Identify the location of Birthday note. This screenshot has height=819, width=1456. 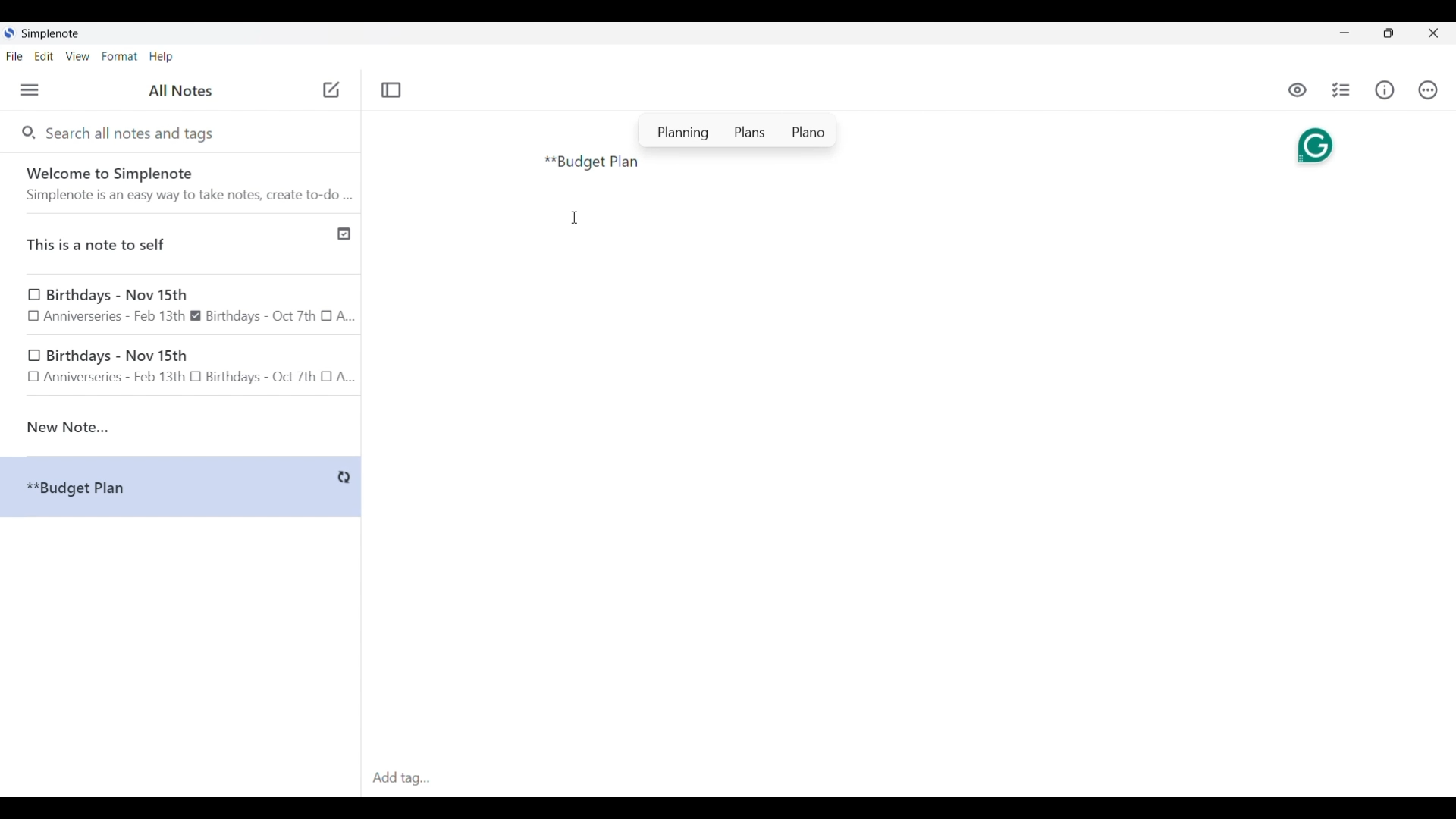
(181, 305).